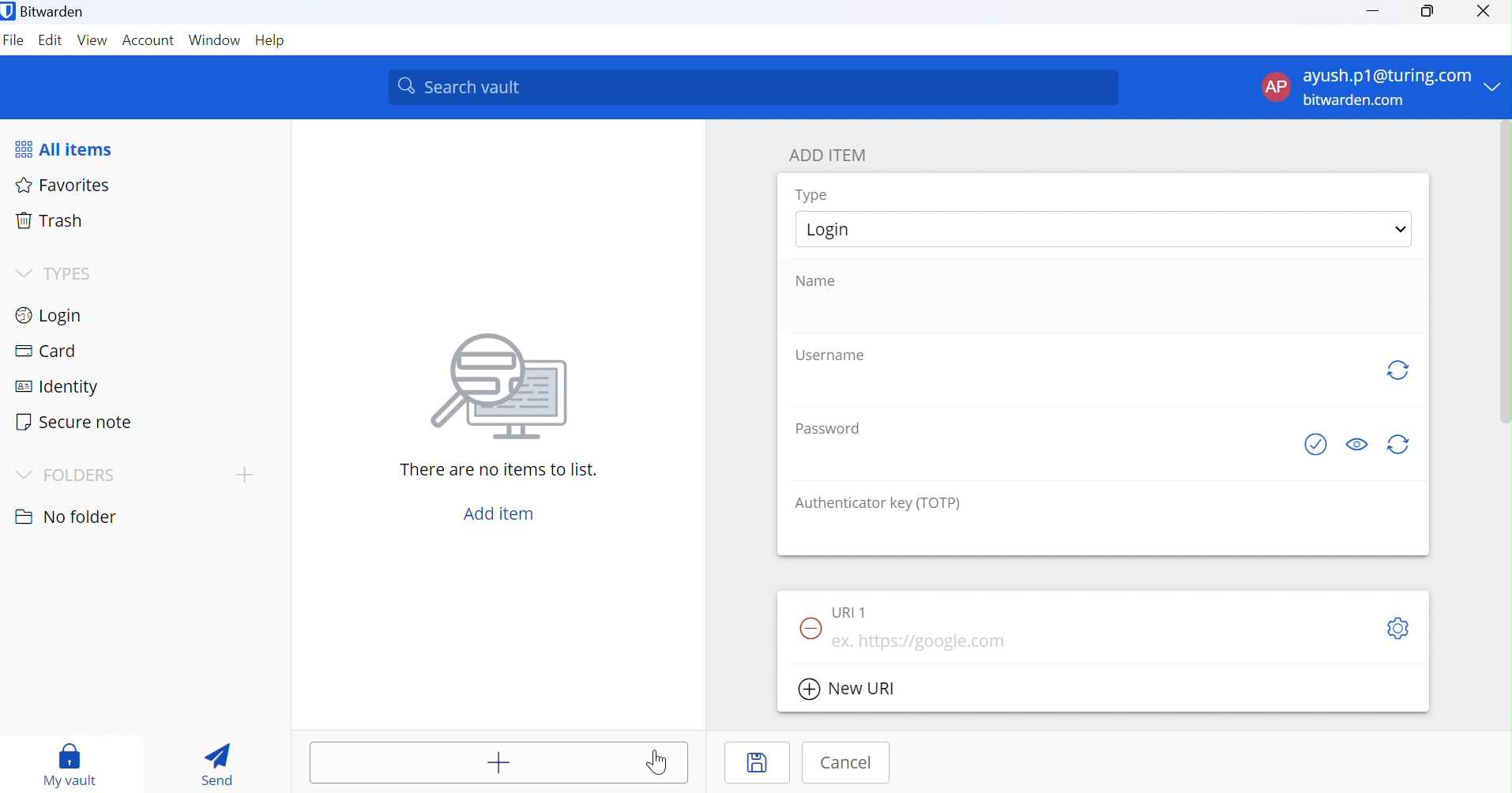  Describe the element at coordinates (1104, 534) in the screenshot. I see `add authenticator key (TOTP)` at that location.